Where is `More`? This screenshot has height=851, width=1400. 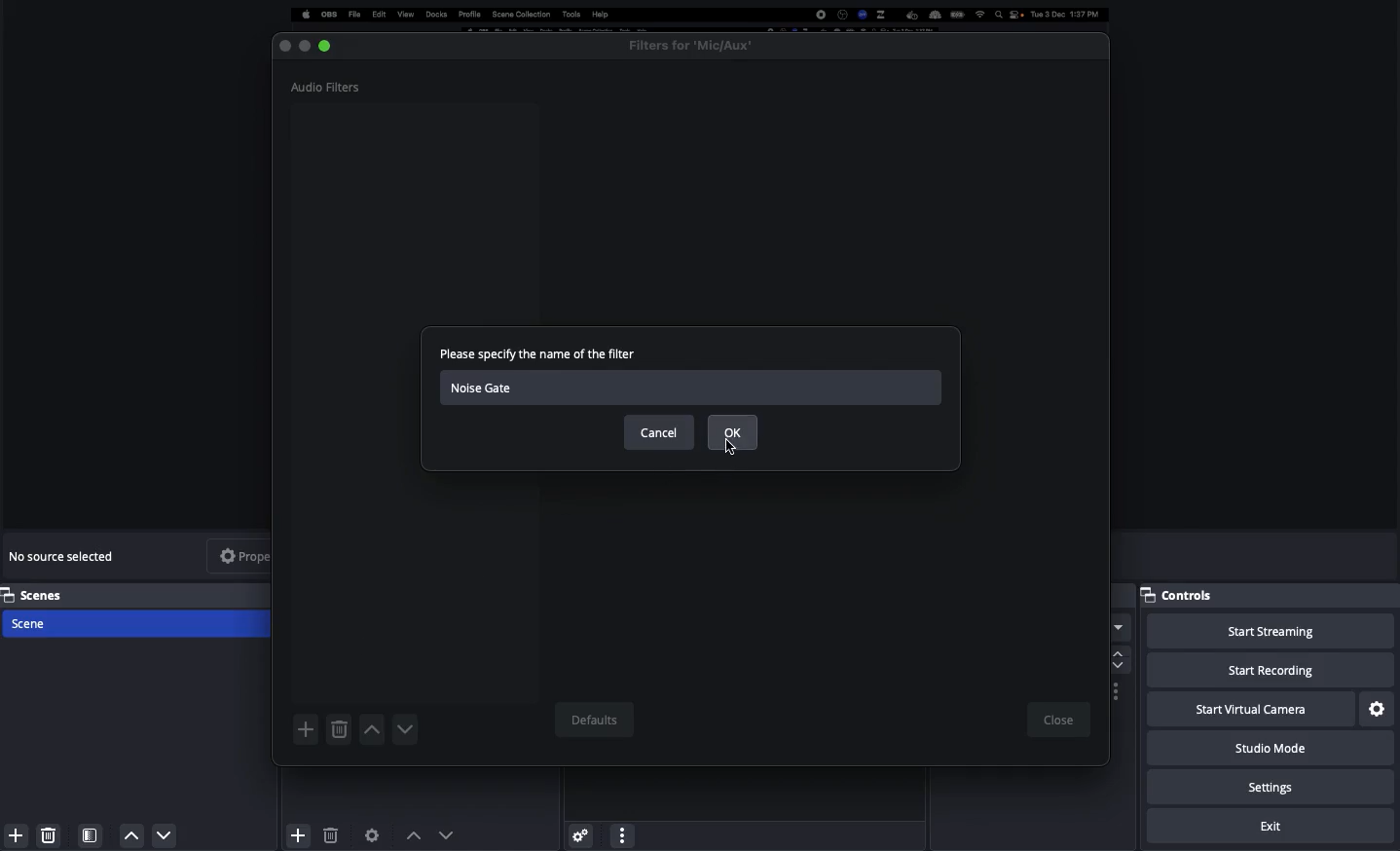 More is located at coordinates (621, 833).